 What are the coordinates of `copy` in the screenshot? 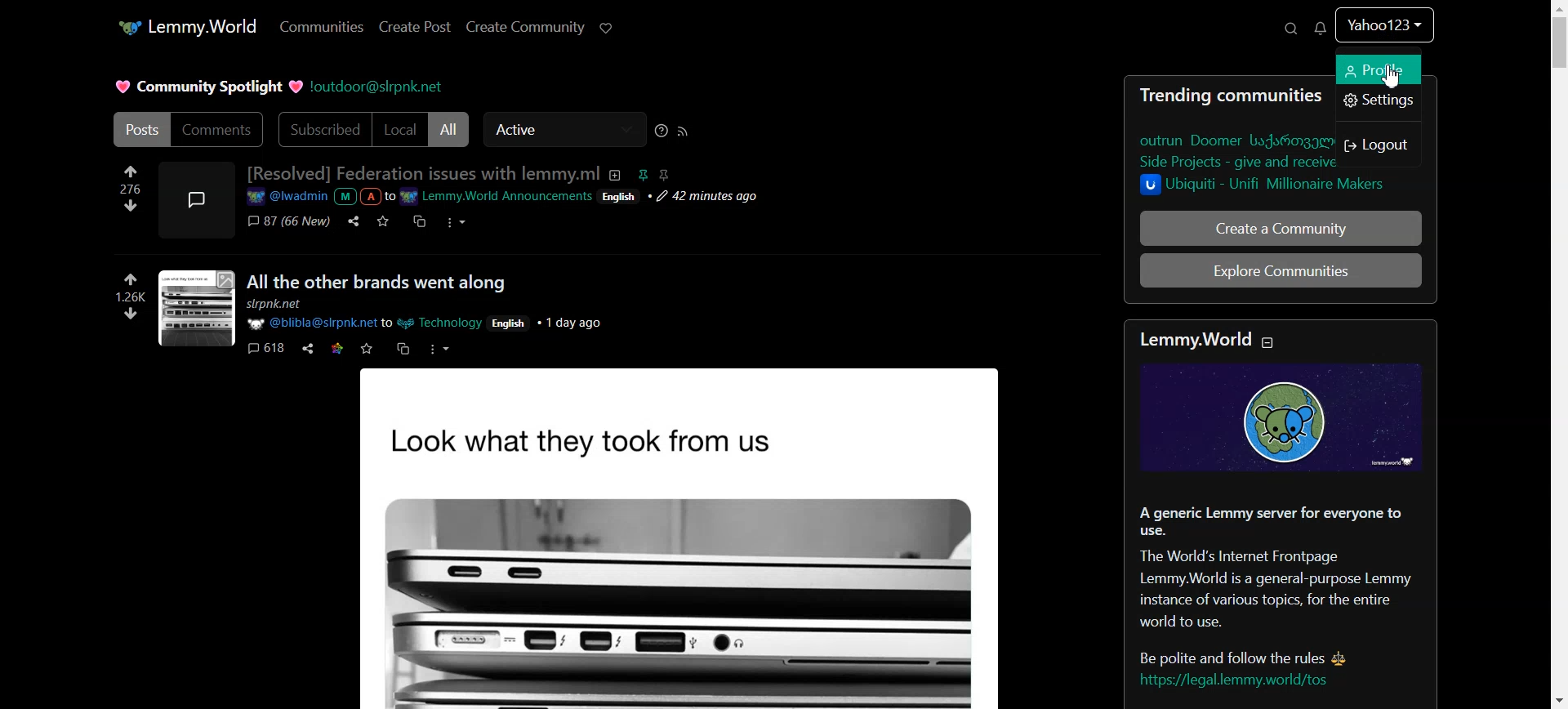 It's located at (402, 348).